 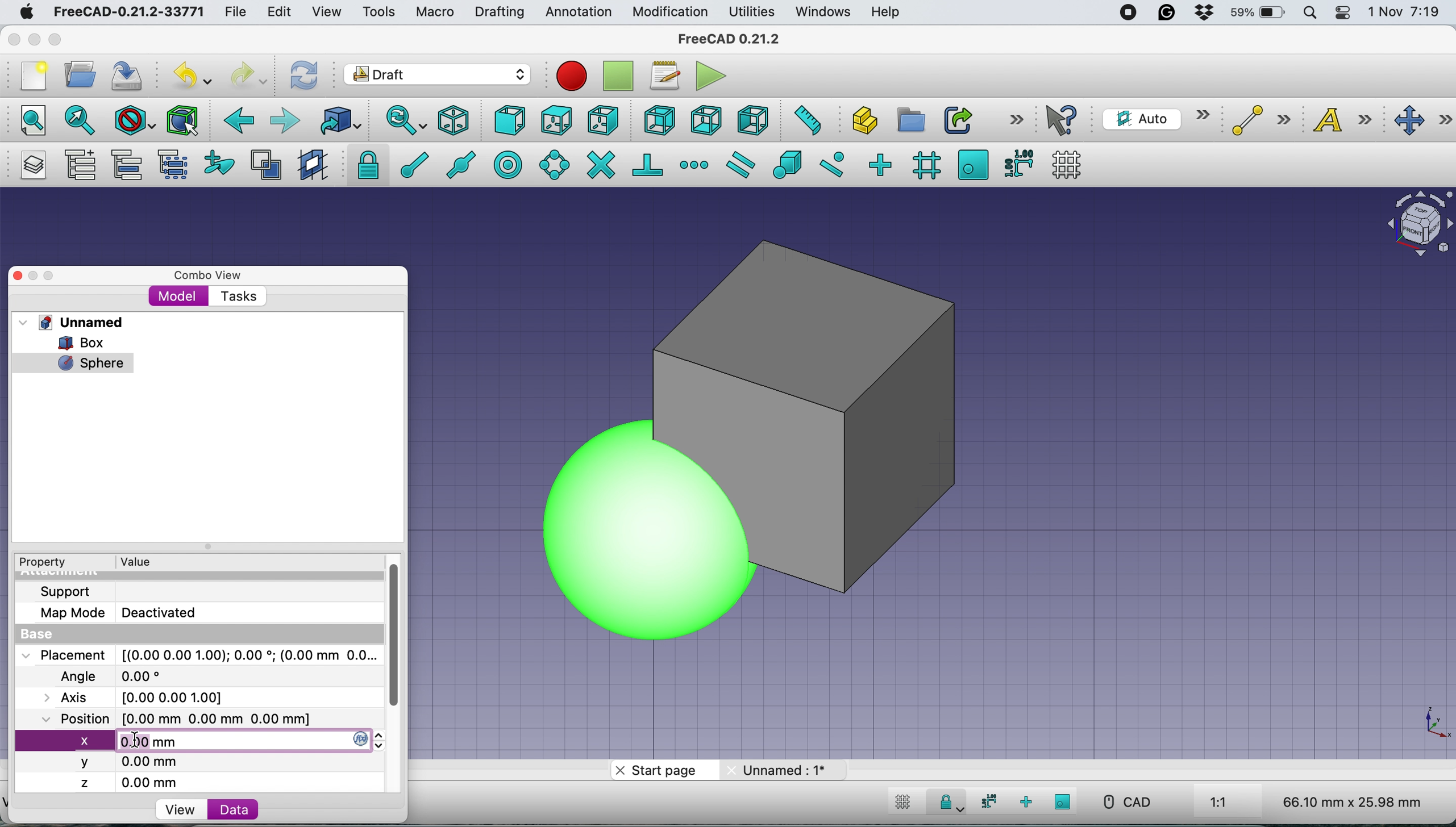 I want to click on sync view, so click(x=399, y=122).